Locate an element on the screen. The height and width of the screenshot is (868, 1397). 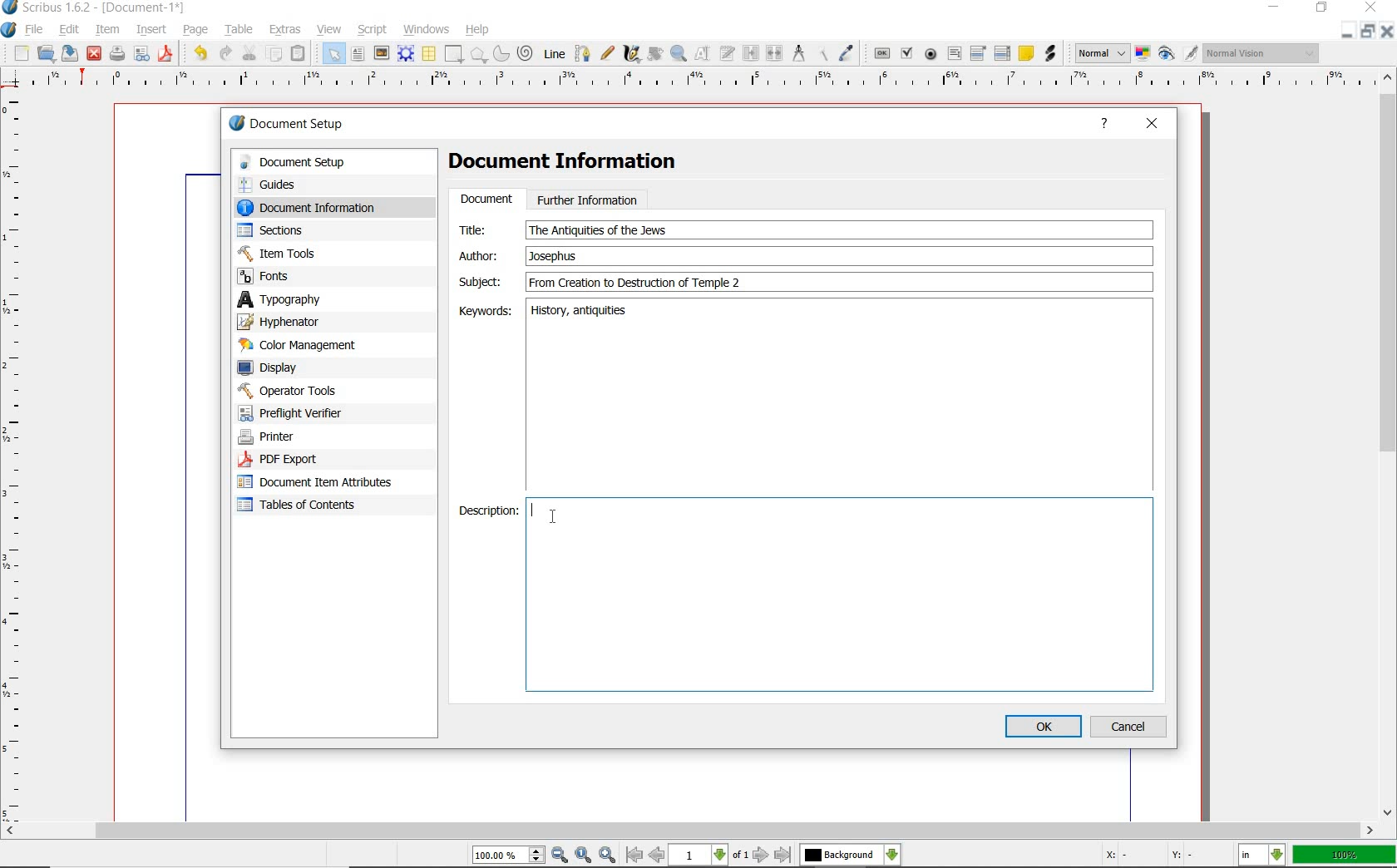
scrollbar is located at coordinates (1389, 446).